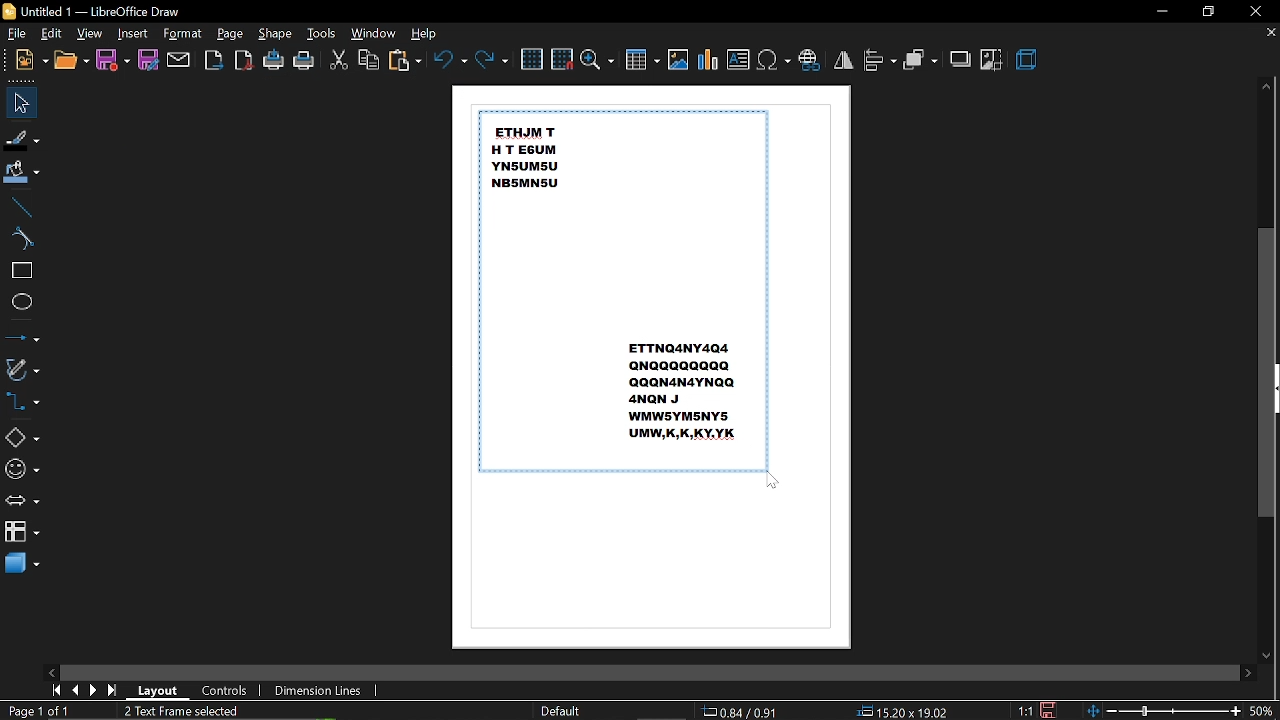  What do you see at coordinates (1266, 88) in the screenshot?
I see `Move up` at bounding box center [1266, 88].